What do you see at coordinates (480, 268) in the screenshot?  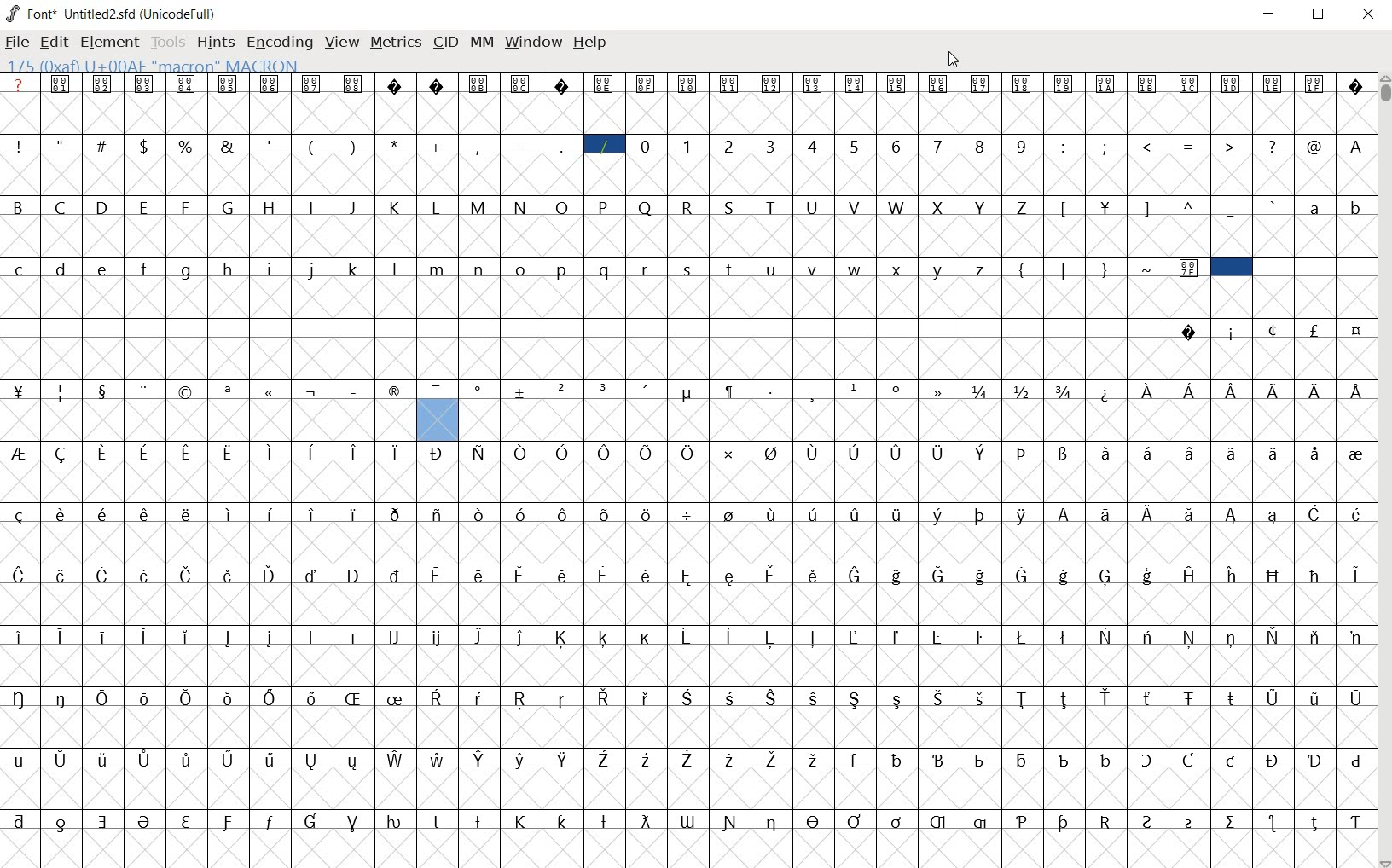 I see `n` at bounding box center [480, 268].